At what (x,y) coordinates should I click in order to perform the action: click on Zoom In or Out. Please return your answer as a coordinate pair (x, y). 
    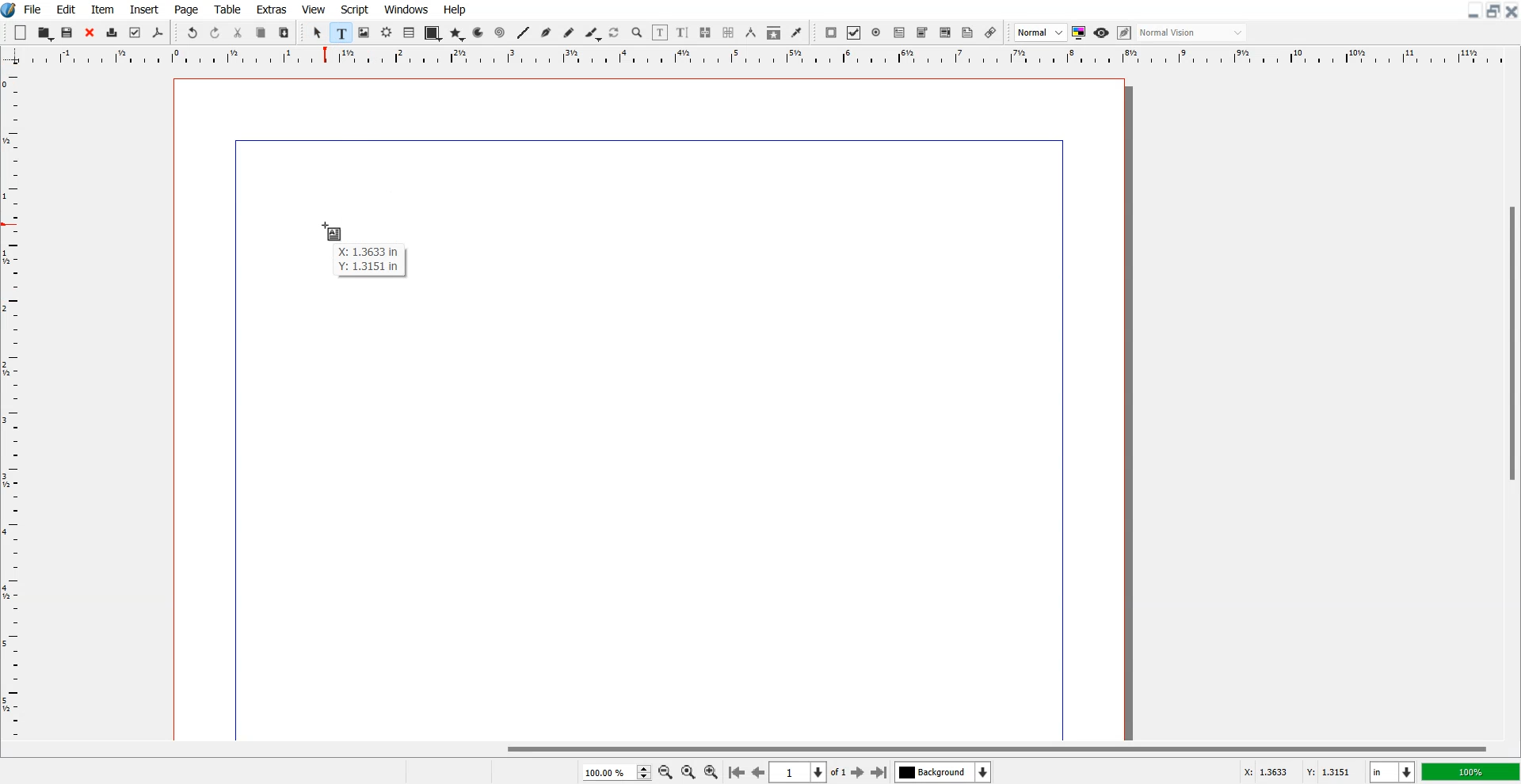
    Looking at the image, I should click on (637, 32).